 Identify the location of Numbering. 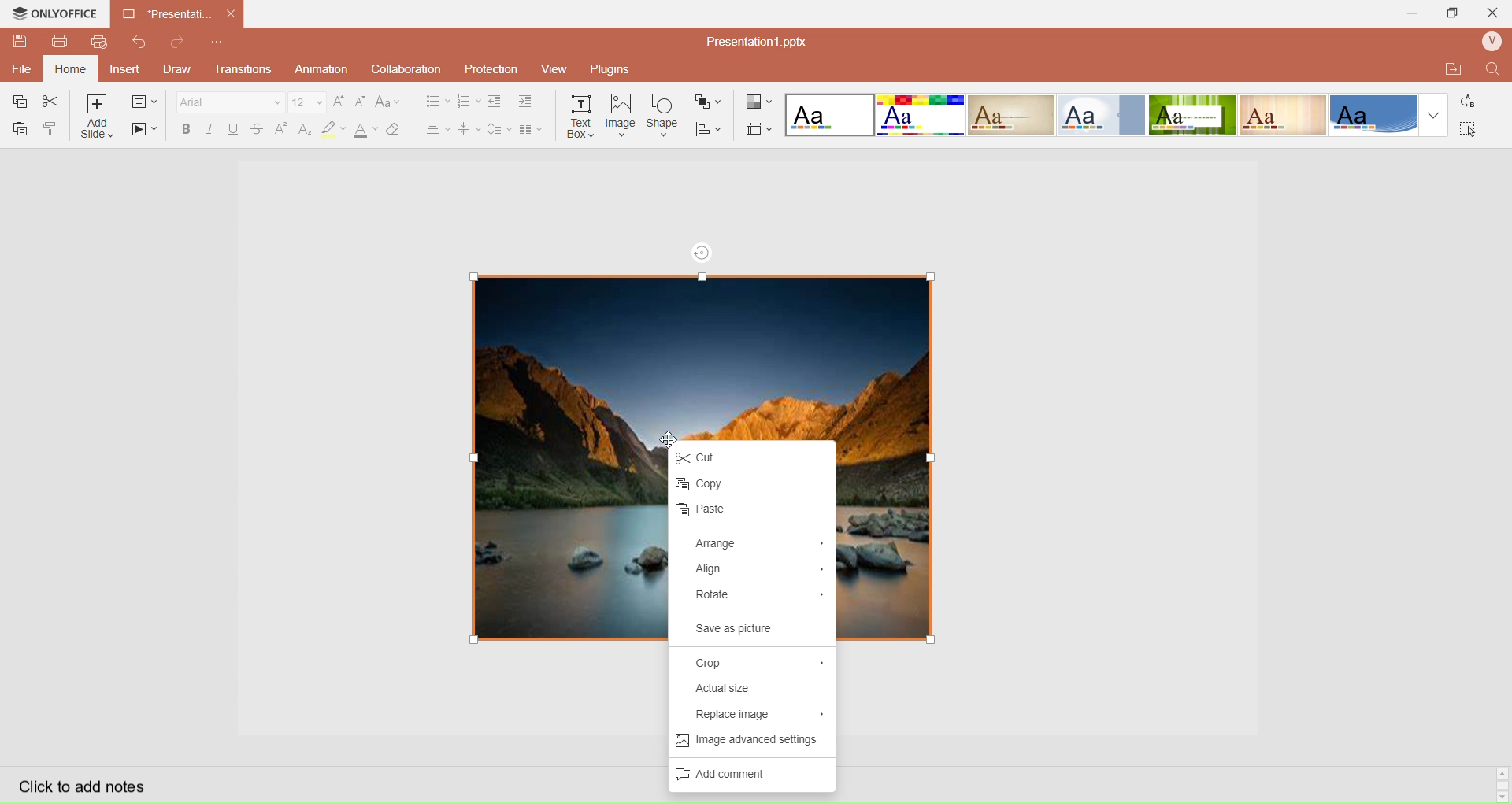
(469, 102).